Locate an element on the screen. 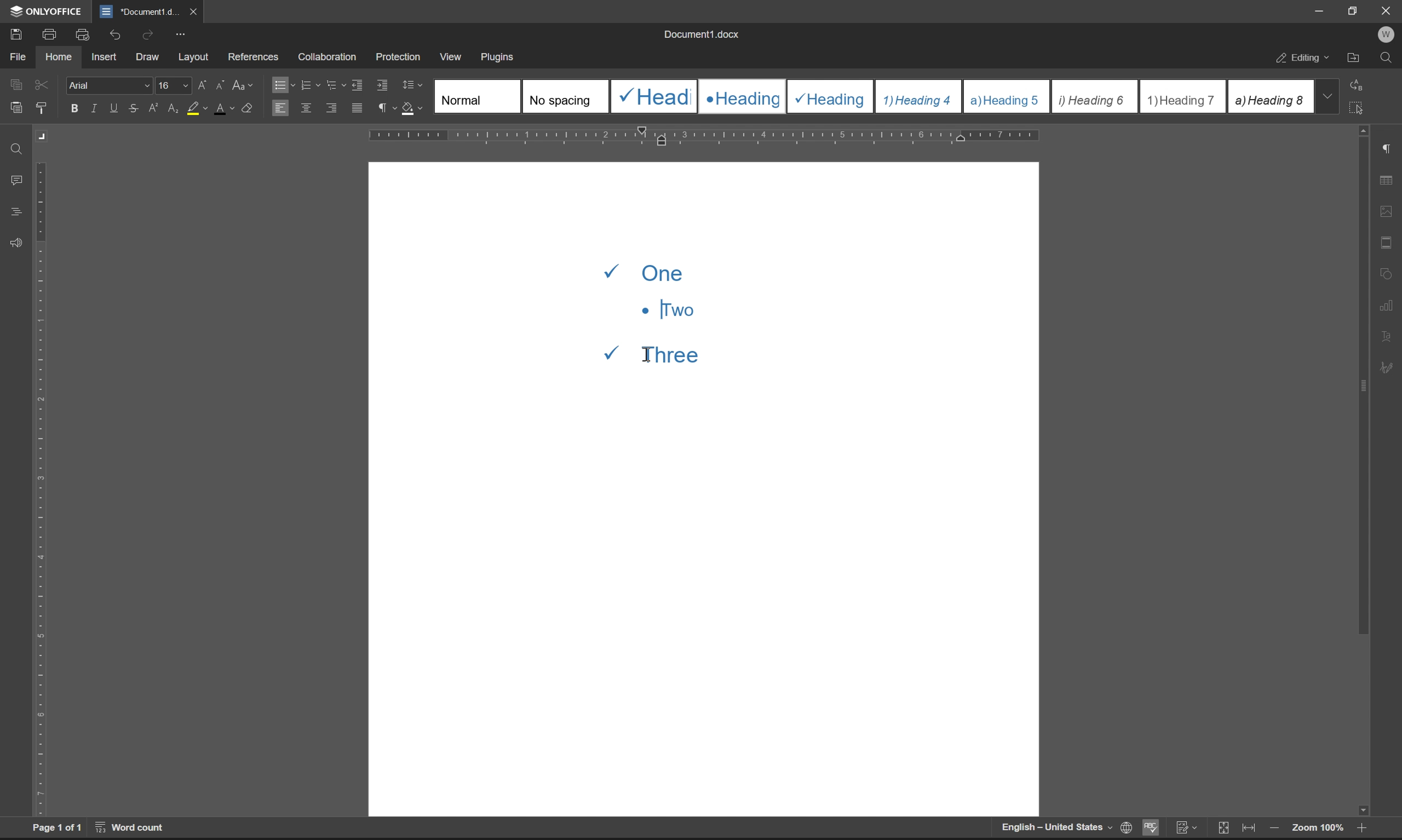  restore down is located at coordinates (1356, 10).